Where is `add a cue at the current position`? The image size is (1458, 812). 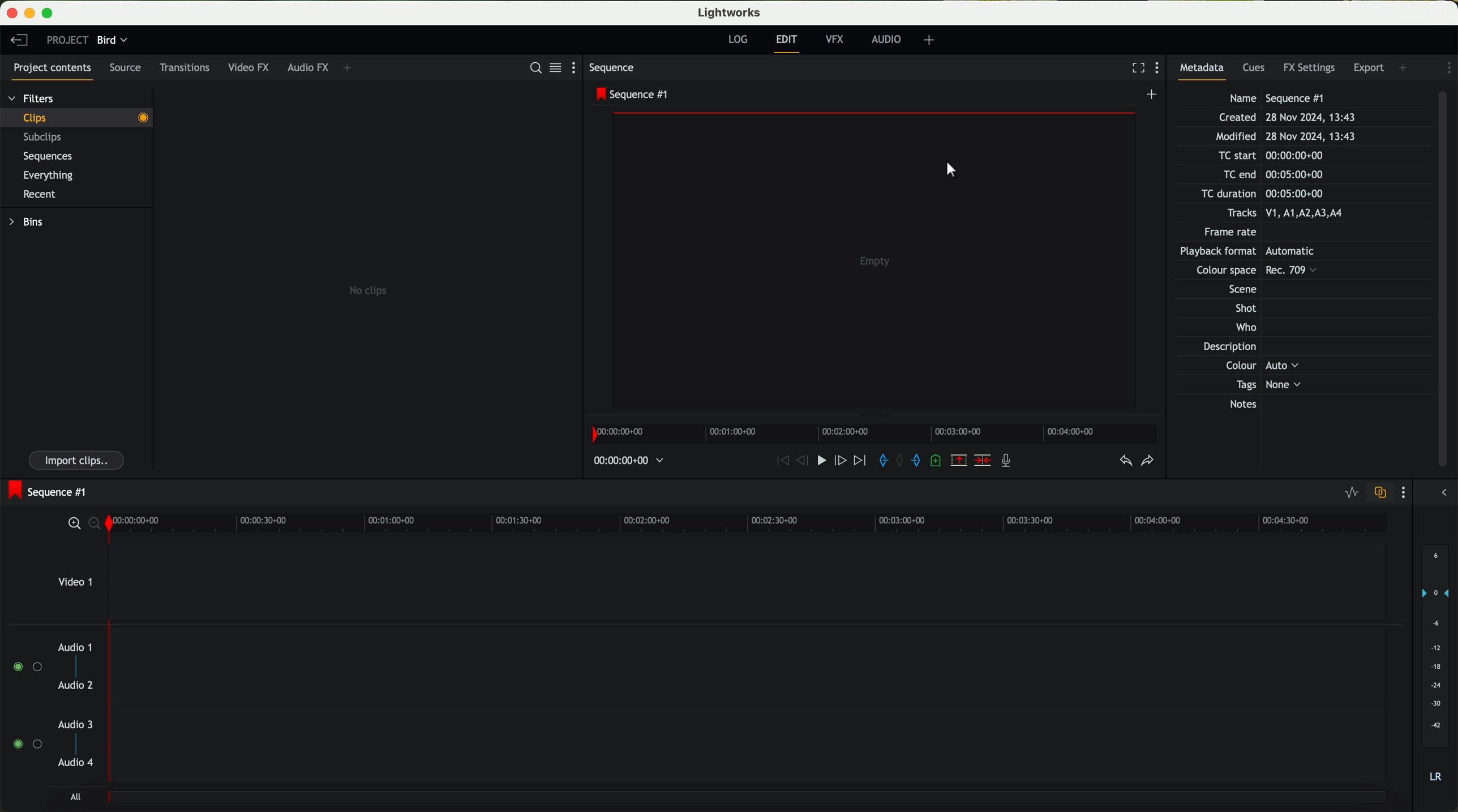
add a cue at the current position is located at coordinates (940, 461).